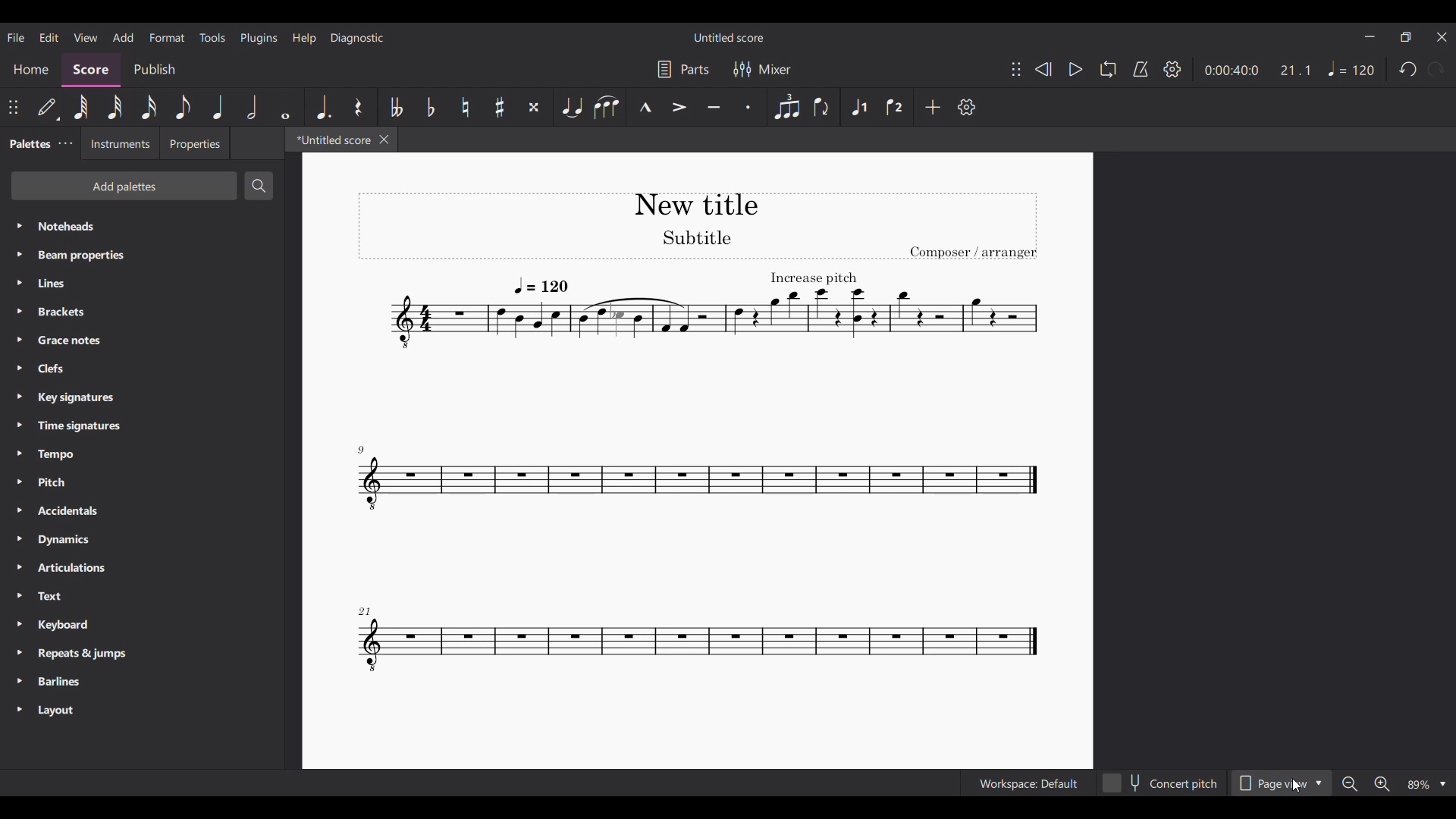 The height and width of the screenshot is (819, 1456). I want to click on Text, so click(141, 596).